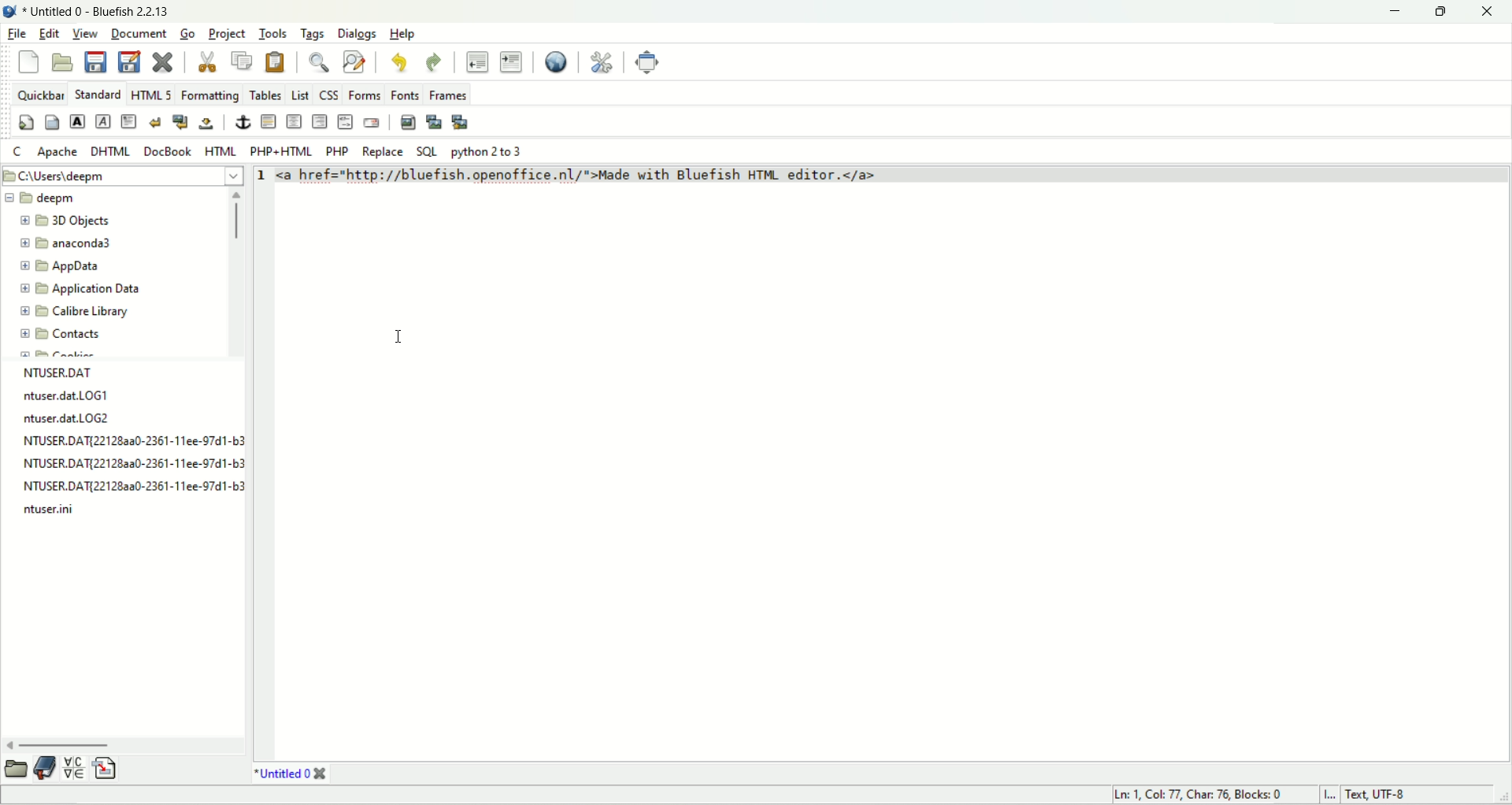 The height and width of the screenshot is (805, 1512). Describe the element at coordinates (20, 151) in the screenshot. I see `C` at that location.